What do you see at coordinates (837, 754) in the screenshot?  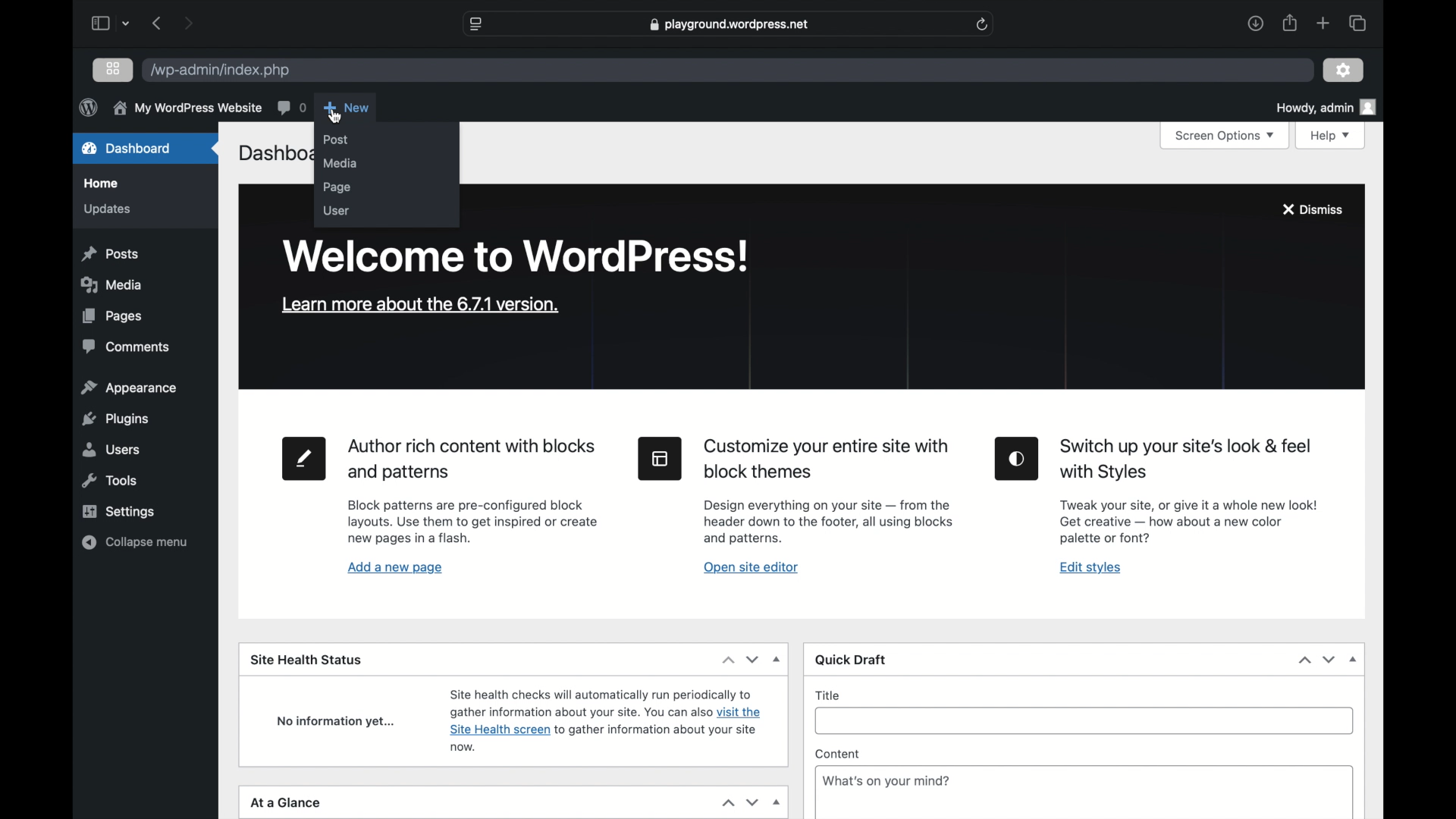 I see `content` at bounding box center [837, 754].